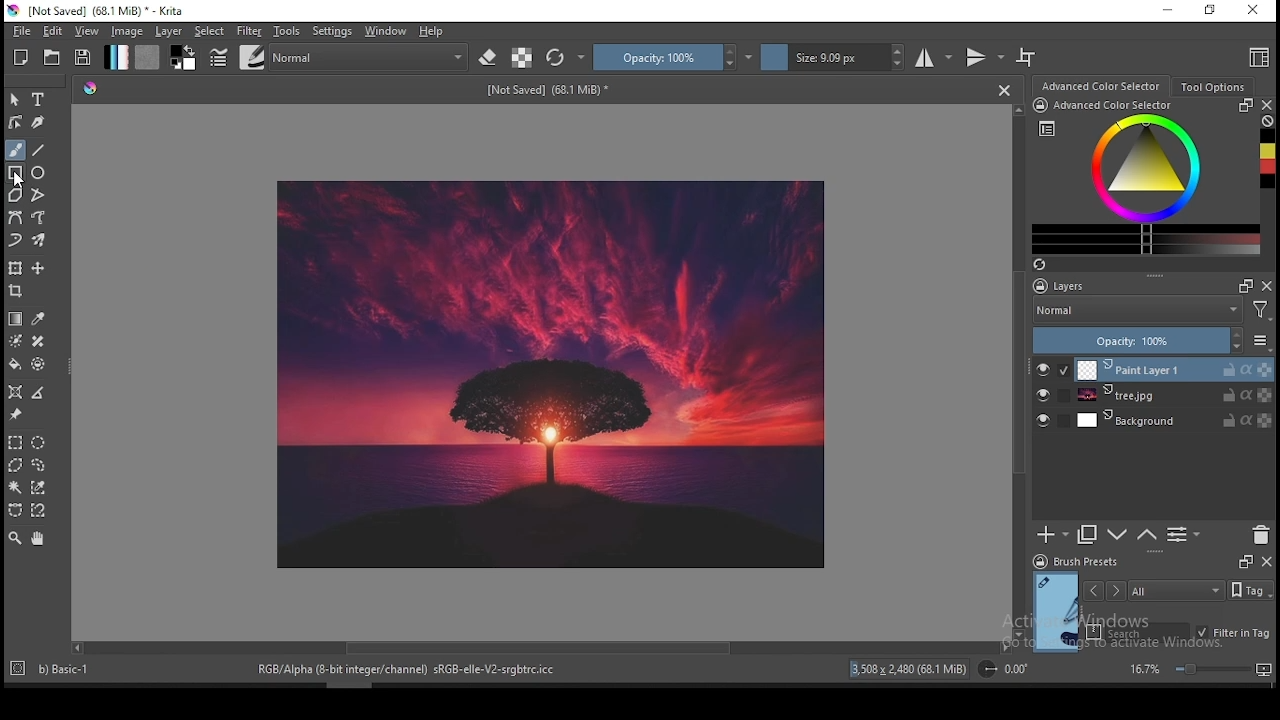 The image size is (1280, 720). Describe the element at coordinates (287, 32) in the screenshot. I see `tools` at that location.